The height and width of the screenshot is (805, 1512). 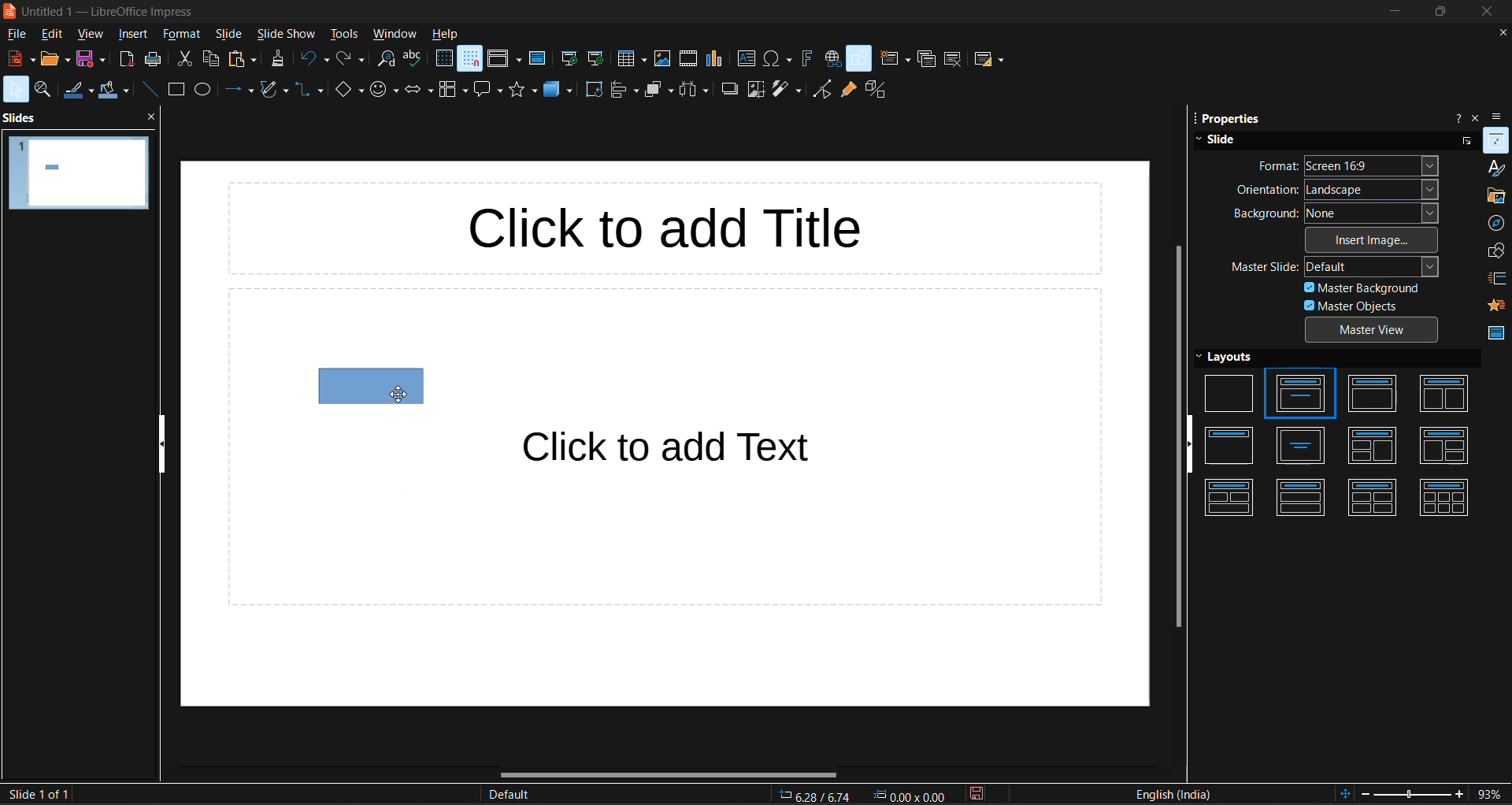 What do you see at coordinates (91, 35) in the screenshot?
I see `view` at bounding box center [91, 35].